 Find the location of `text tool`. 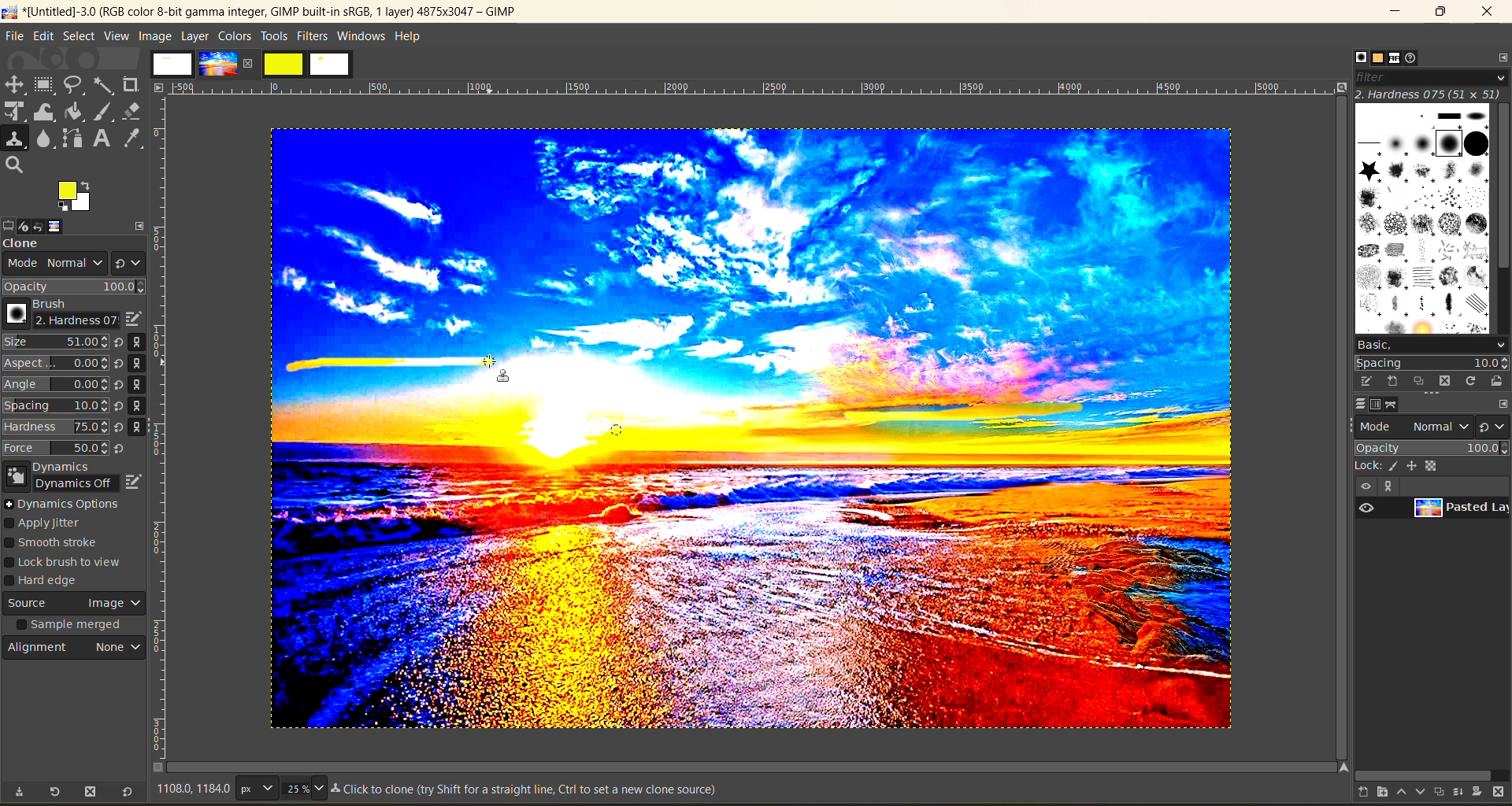

text tool is located at coordinates (103, 139).